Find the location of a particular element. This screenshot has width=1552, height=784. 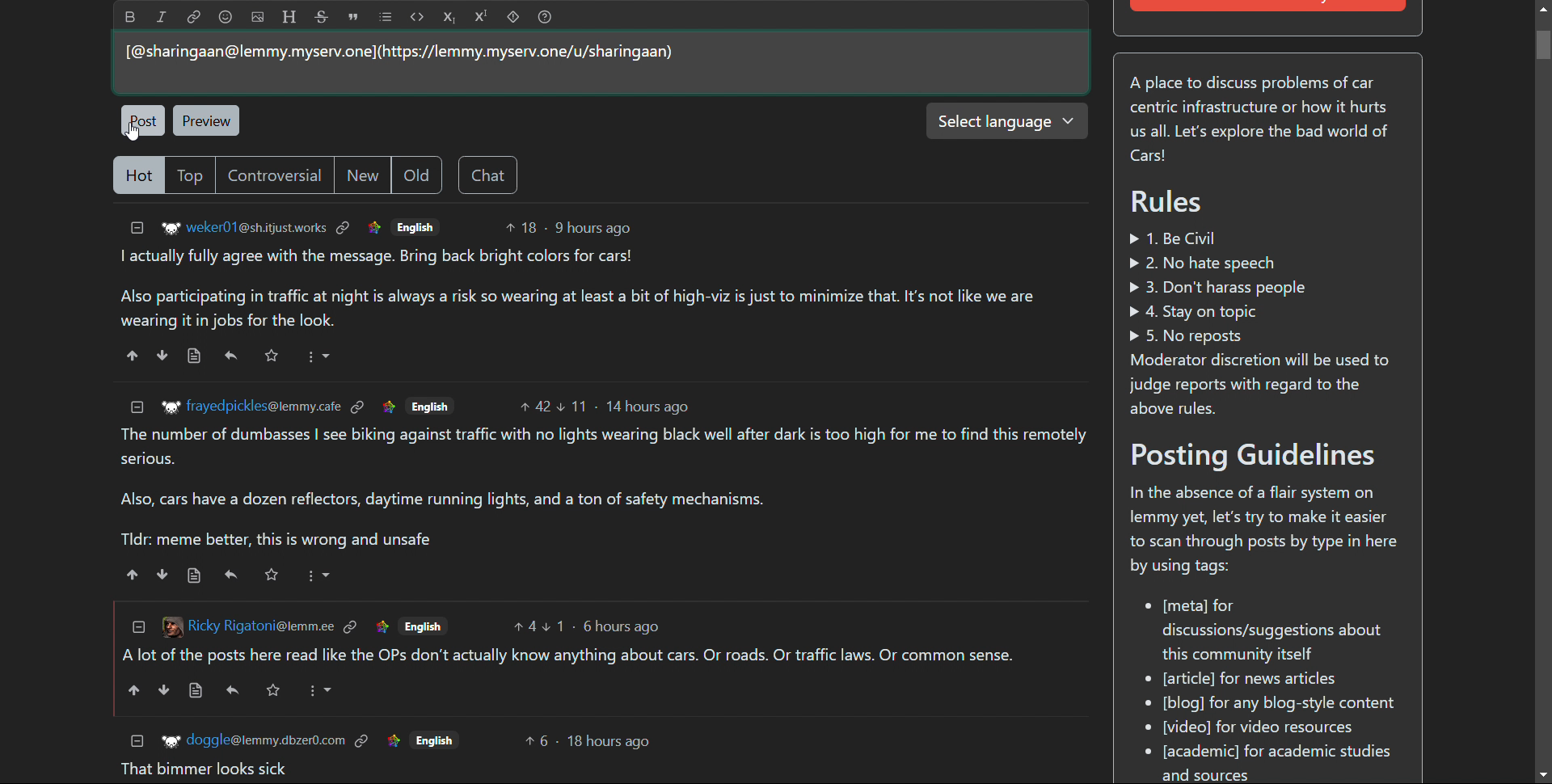

add image is located at coordinates (258, 17).